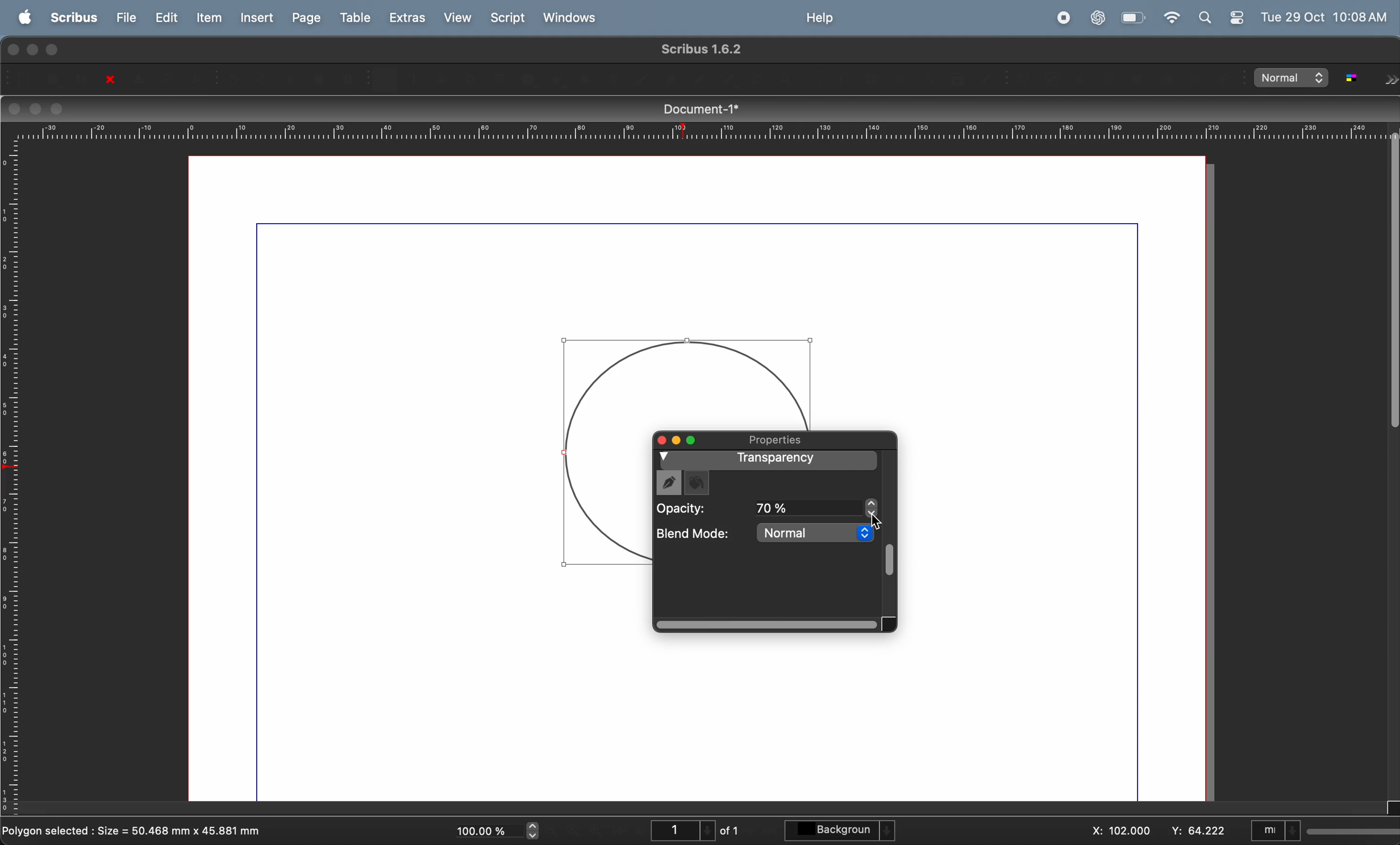 This screenshot has height=845, width=1400. What do you see at coordinates (776, 440) in the screenshot?
I see `properties` at bounding box center [776, 440].